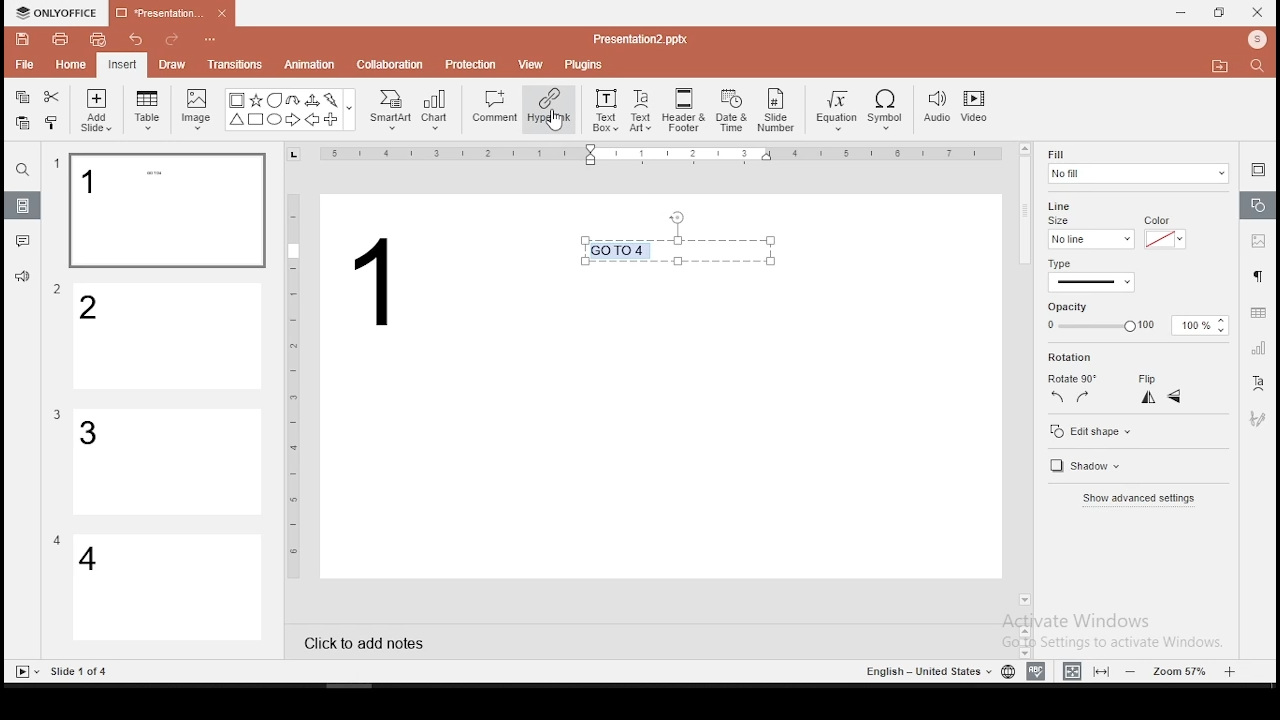 The width and height of the screenshot is (1280, 720). What do you see at coordinates (23, 38) in the screenshot?
I see `save` at bounding box center [23, 38].